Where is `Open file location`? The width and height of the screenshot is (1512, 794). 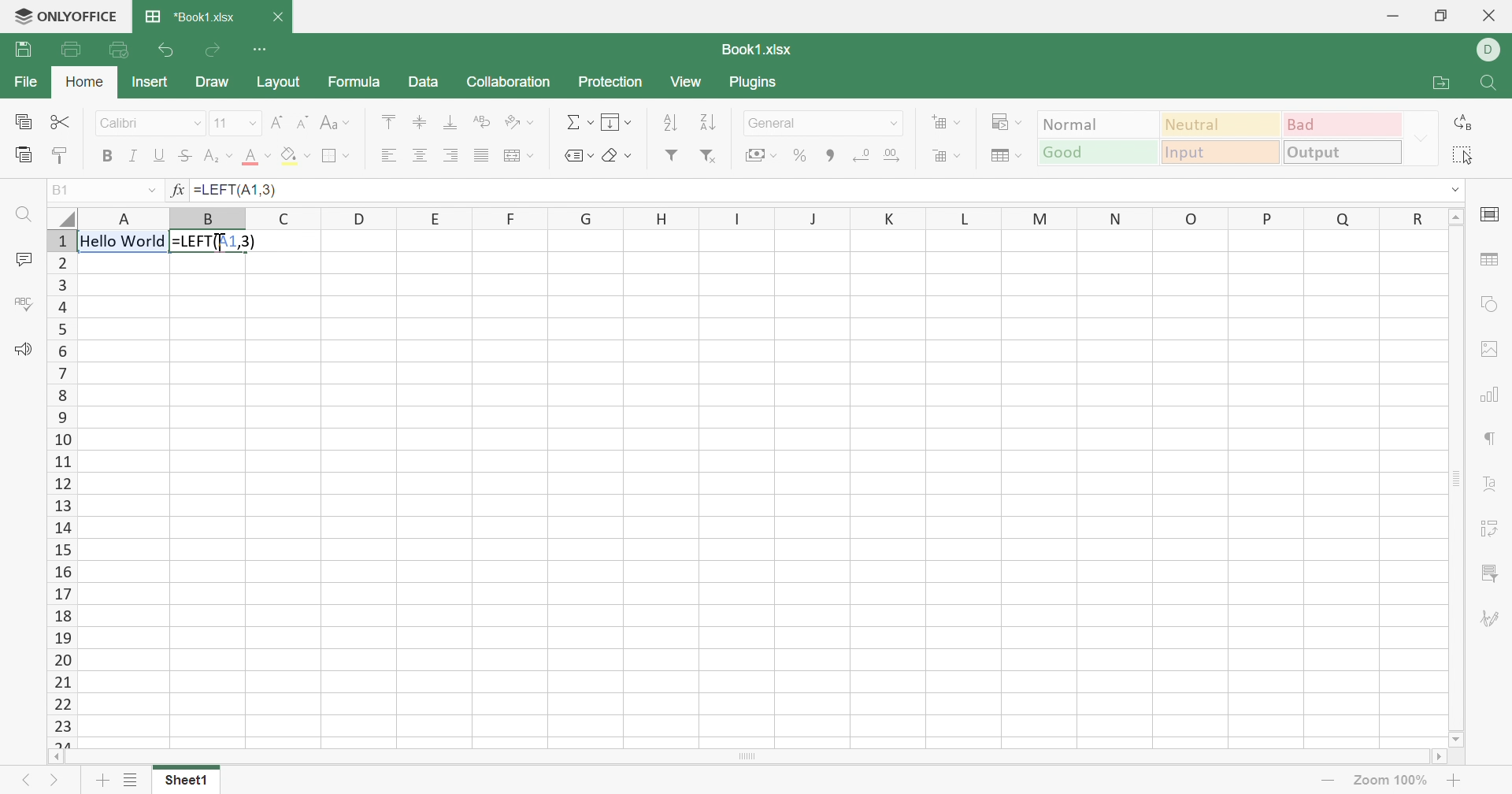 Open file location is located at coordinates (1441, 84).